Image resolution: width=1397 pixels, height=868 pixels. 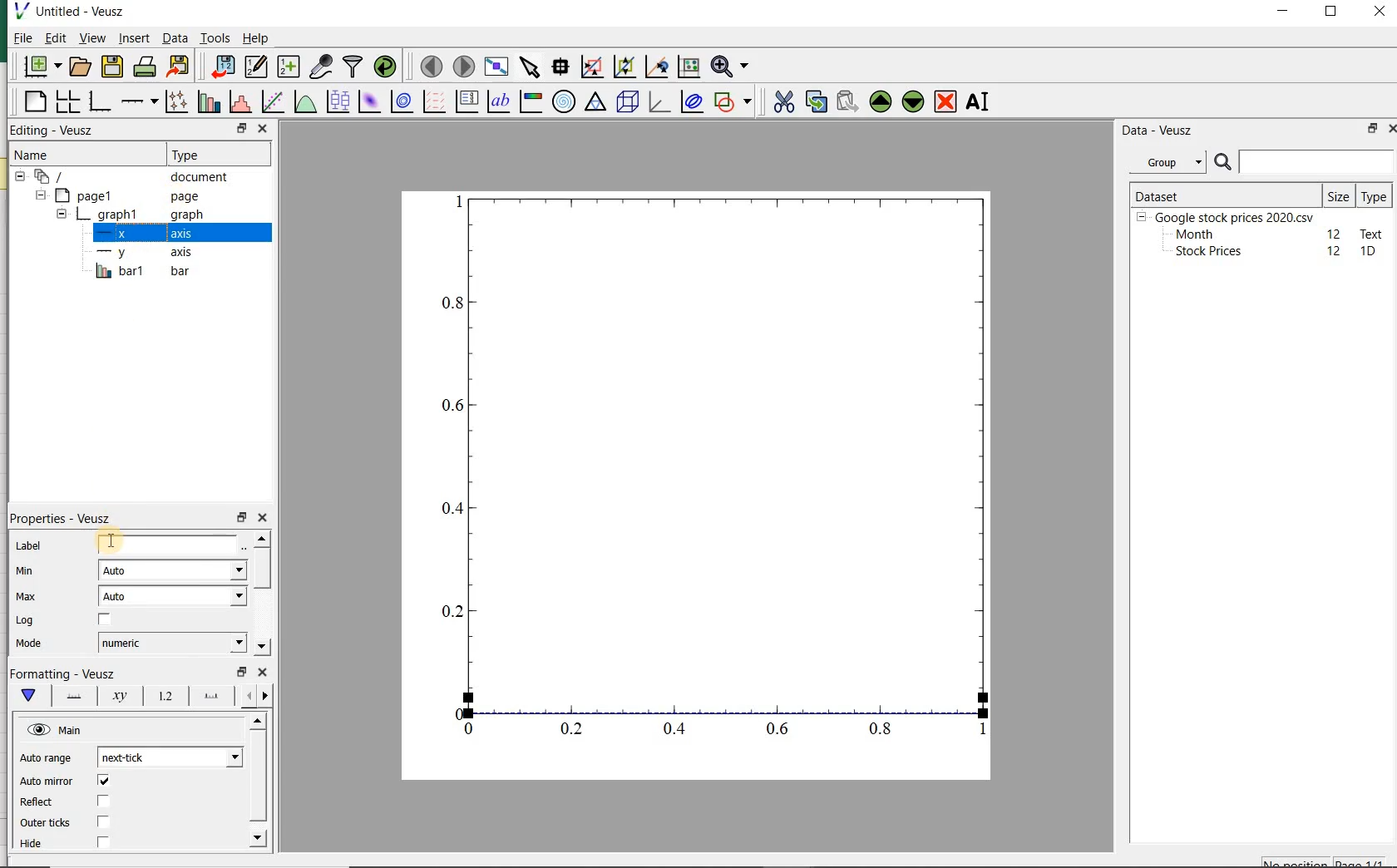 I want to click on SEARCH DATASET, so click(x=1304, y=161).